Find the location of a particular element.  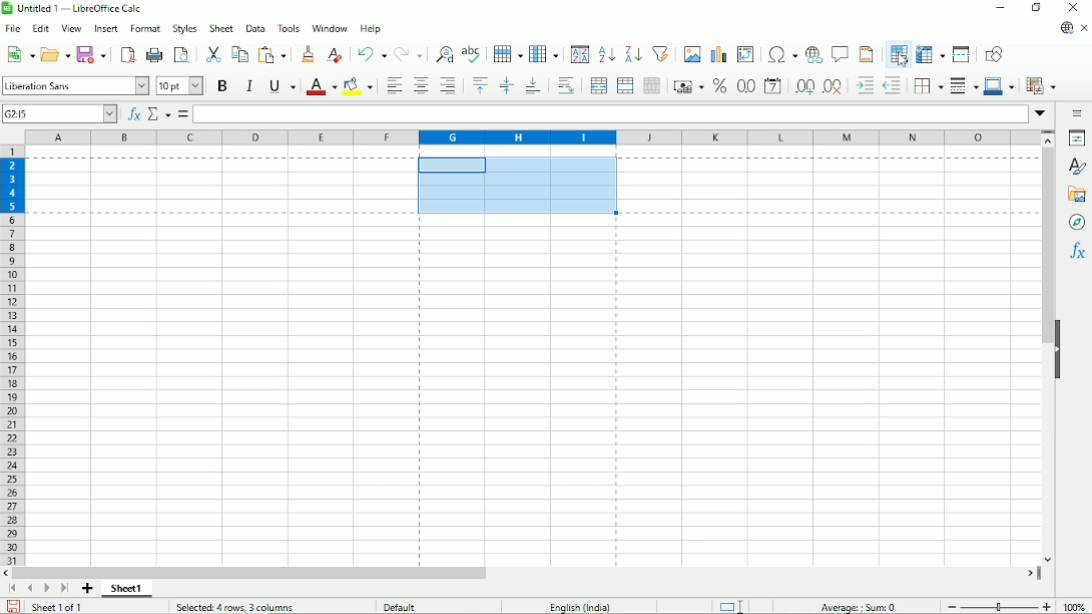

Scroll to last sheet is located at coordinates (64, 589).